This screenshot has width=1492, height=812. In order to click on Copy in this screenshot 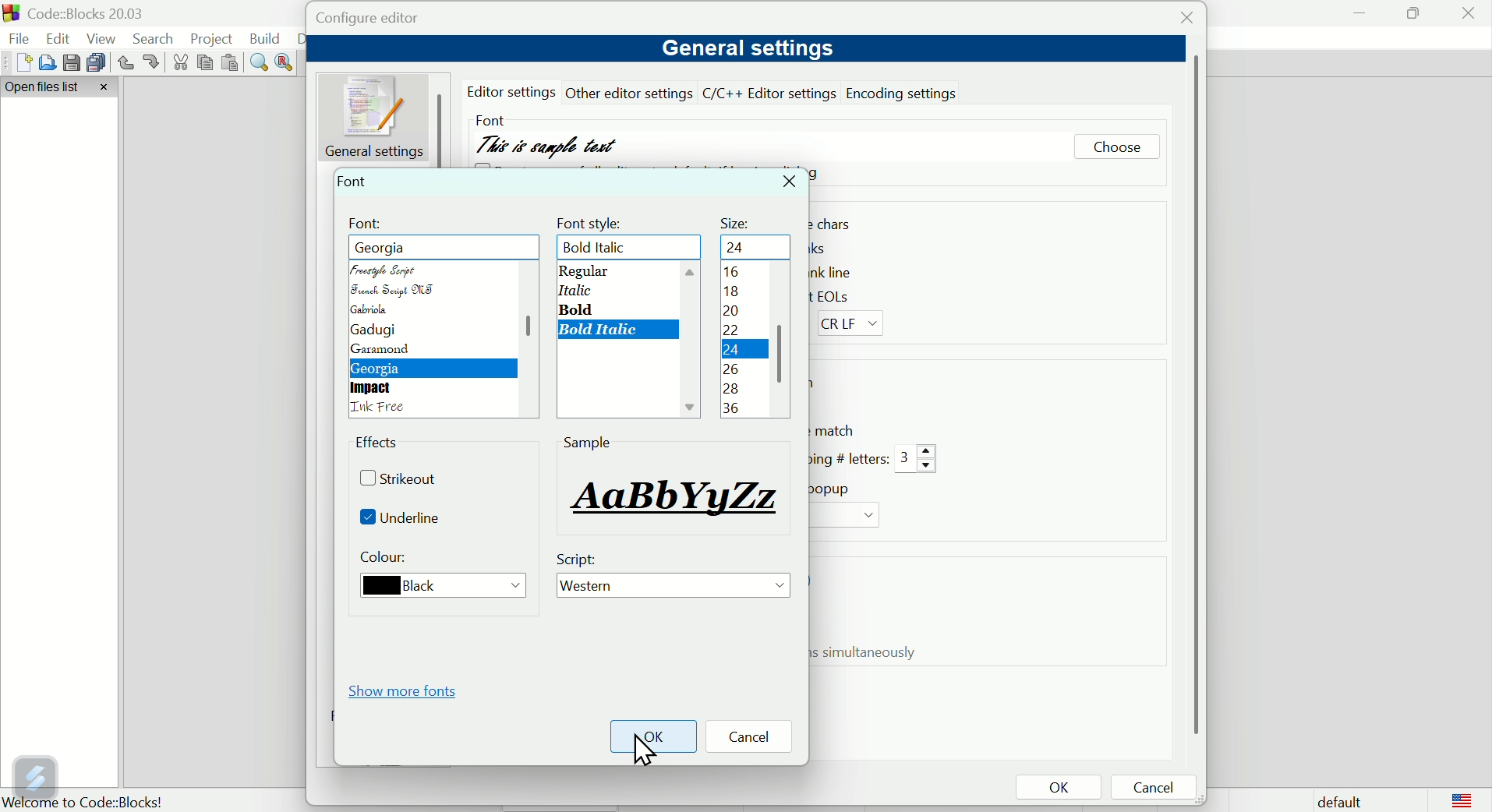, I will do `click(206, 63)`.